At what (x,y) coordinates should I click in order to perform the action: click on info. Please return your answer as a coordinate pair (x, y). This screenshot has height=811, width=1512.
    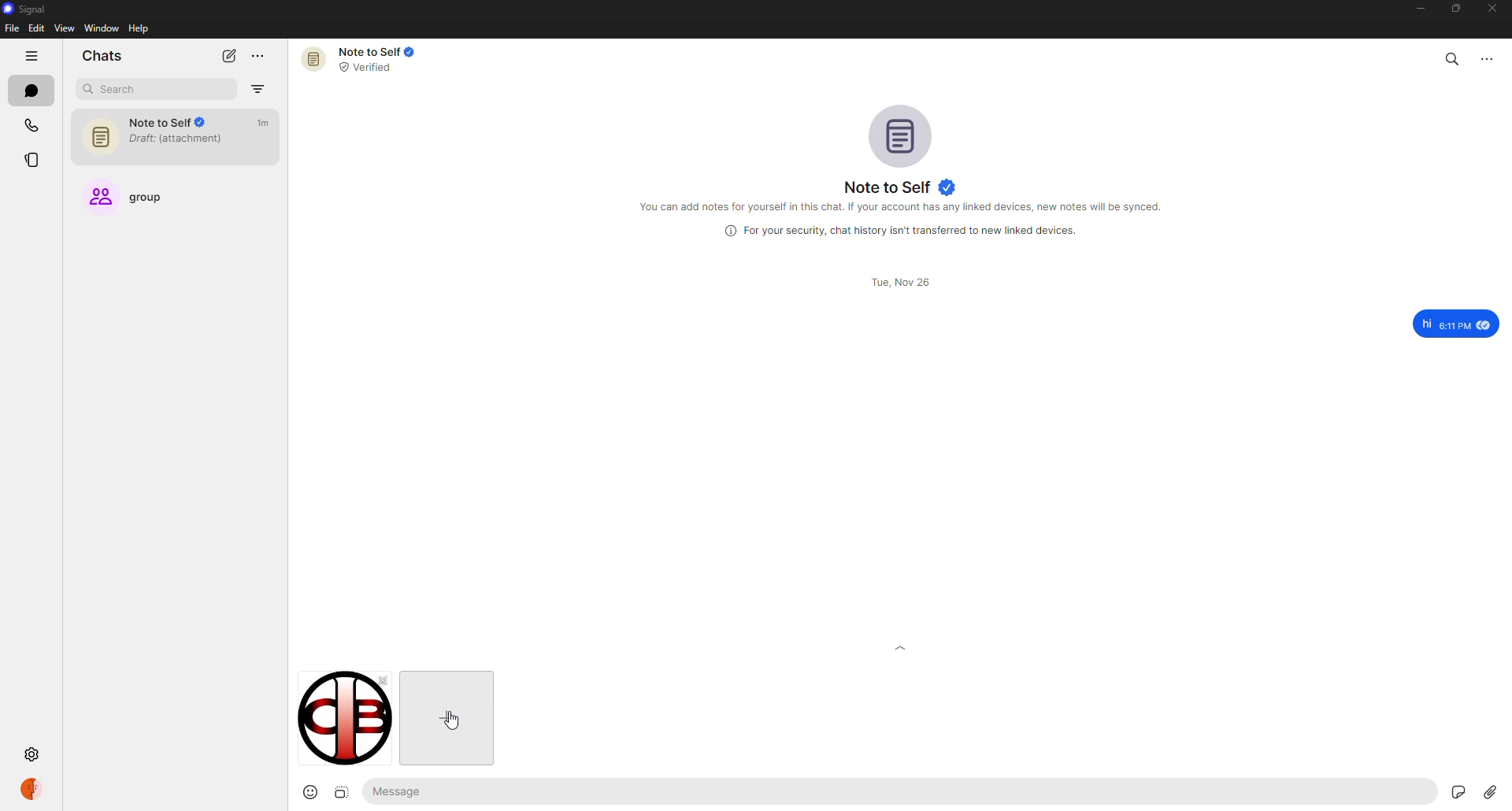
    Looking at the image, I should click on (906, 207).